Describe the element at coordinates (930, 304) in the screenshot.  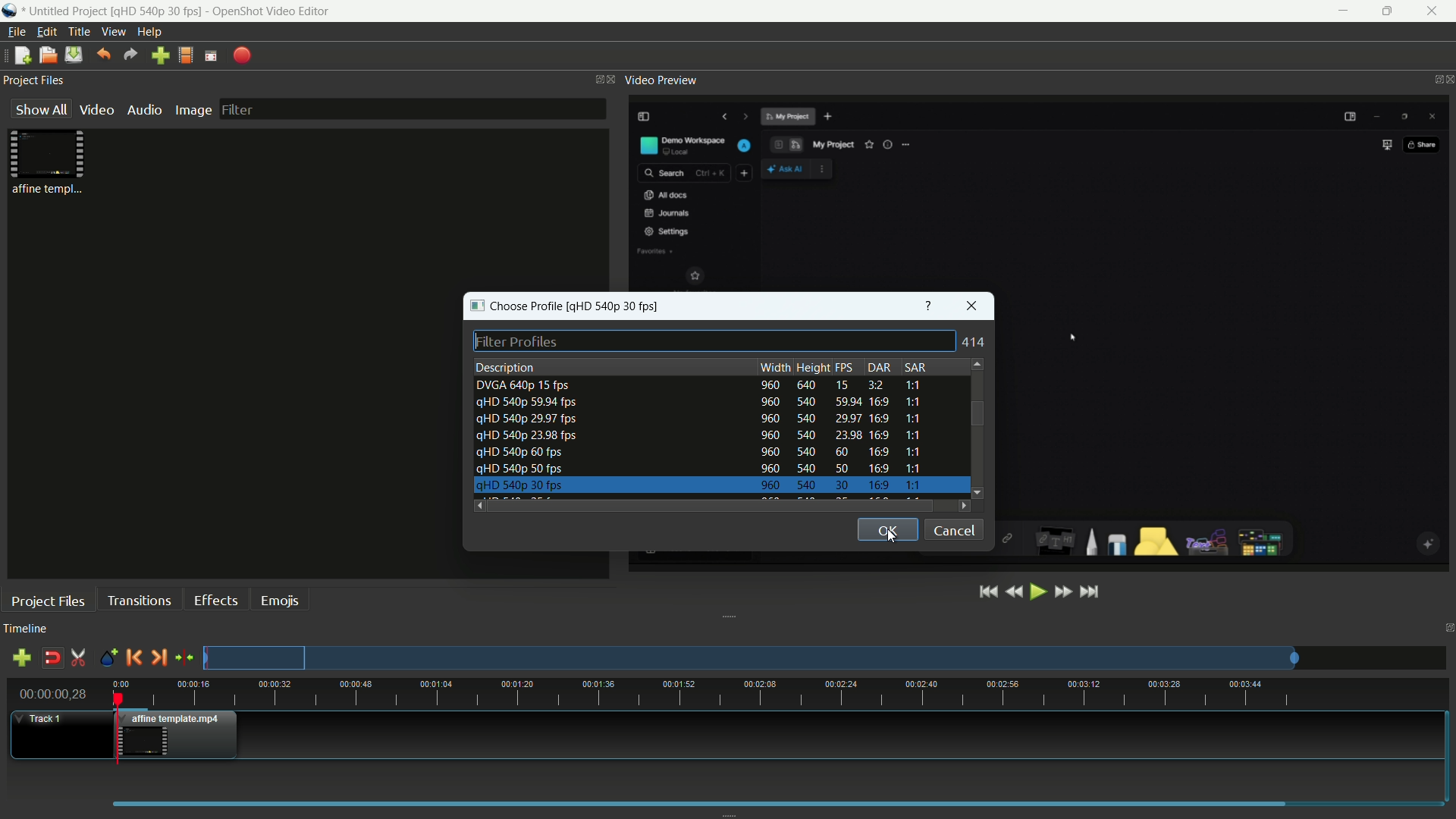
I see `get help` at that location.